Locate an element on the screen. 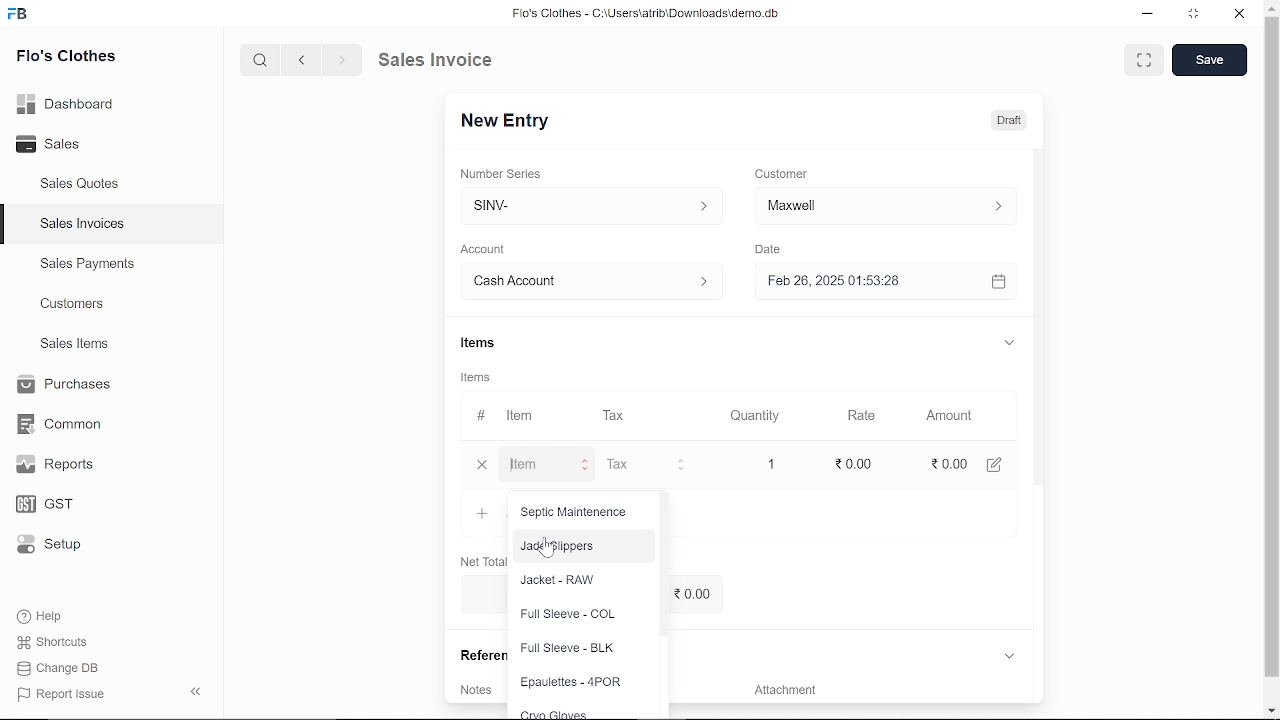 This screenshot has height=720, width=1280. Quantity is located at coordinates (759, 417).